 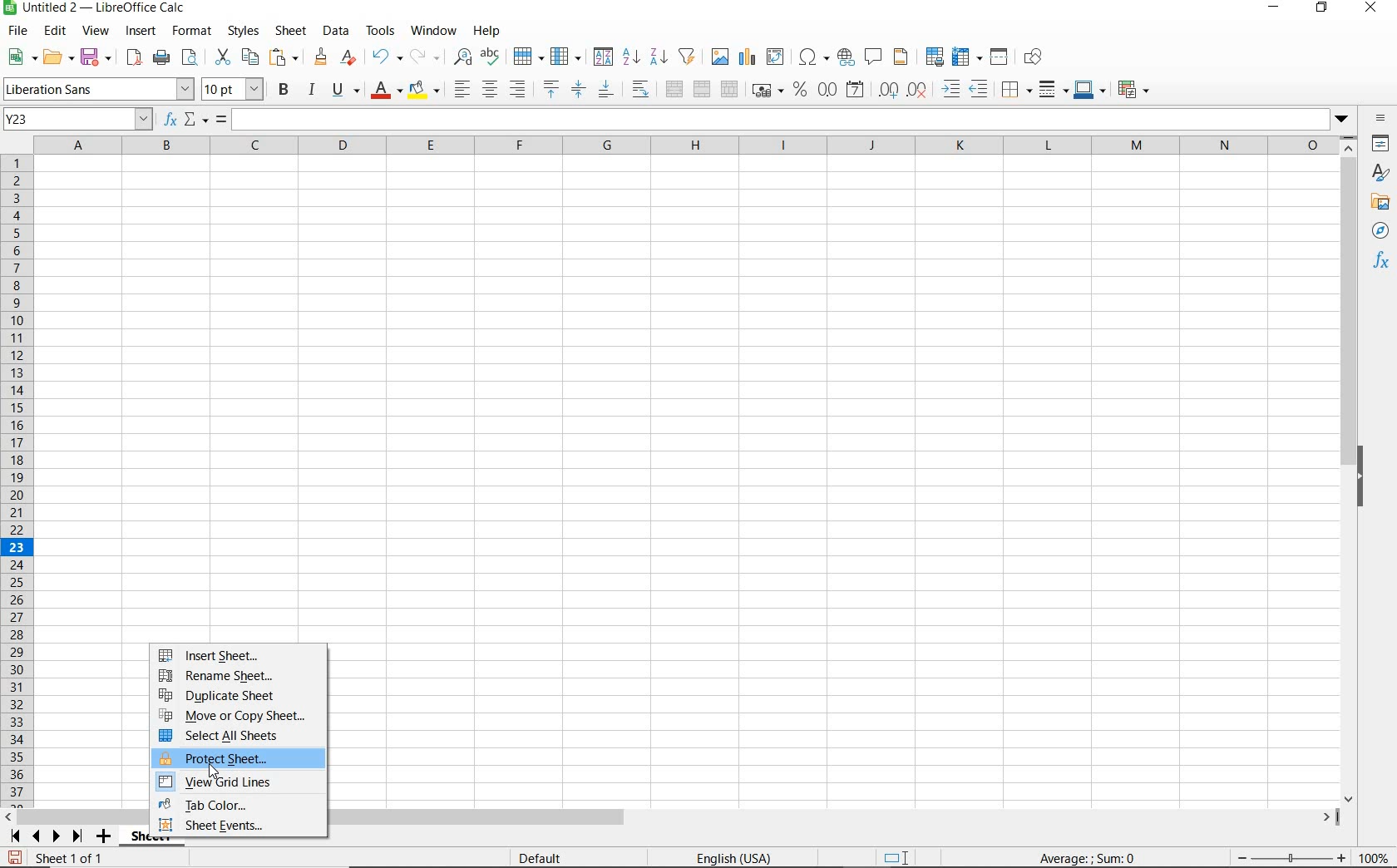 What do you see at coordinates (106, 837) in the screenshot?
I see `ADD SHEET` at bounding box center [106, 837].